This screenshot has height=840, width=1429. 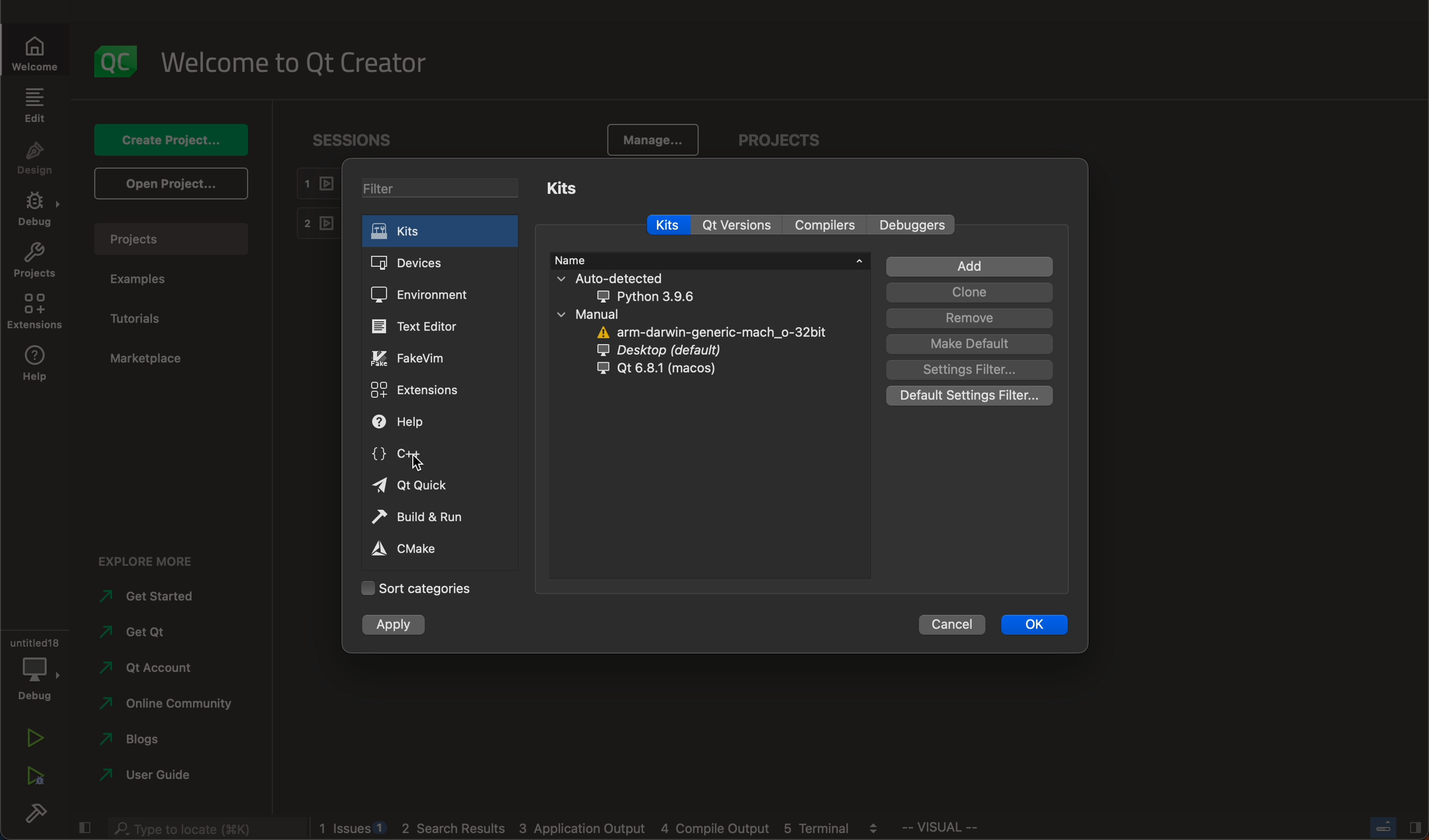 I want to click on user guide, so click(x=149, y=777).